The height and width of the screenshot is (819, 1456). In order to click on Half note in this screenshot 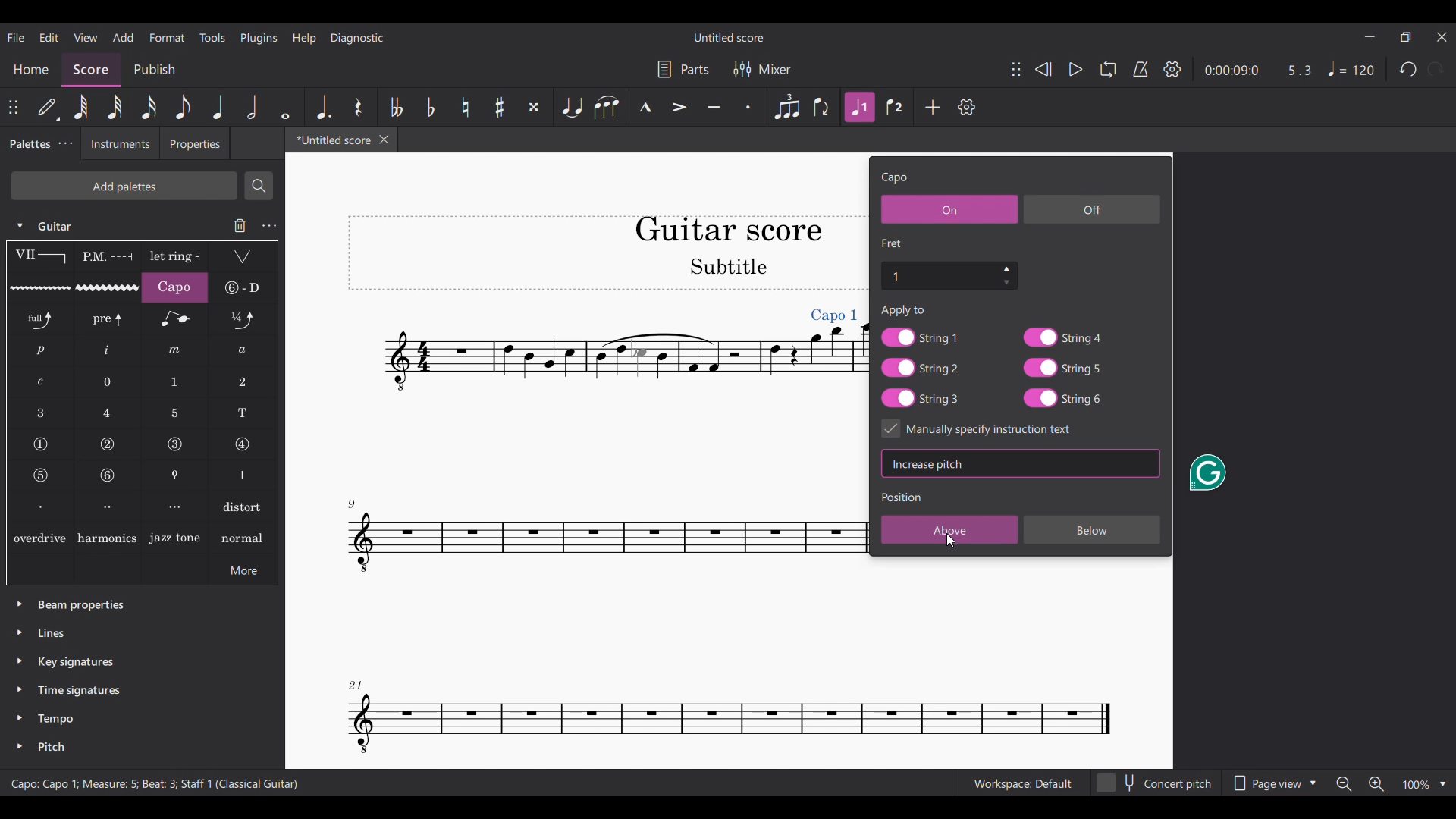, I will do `click(253, 107)`.